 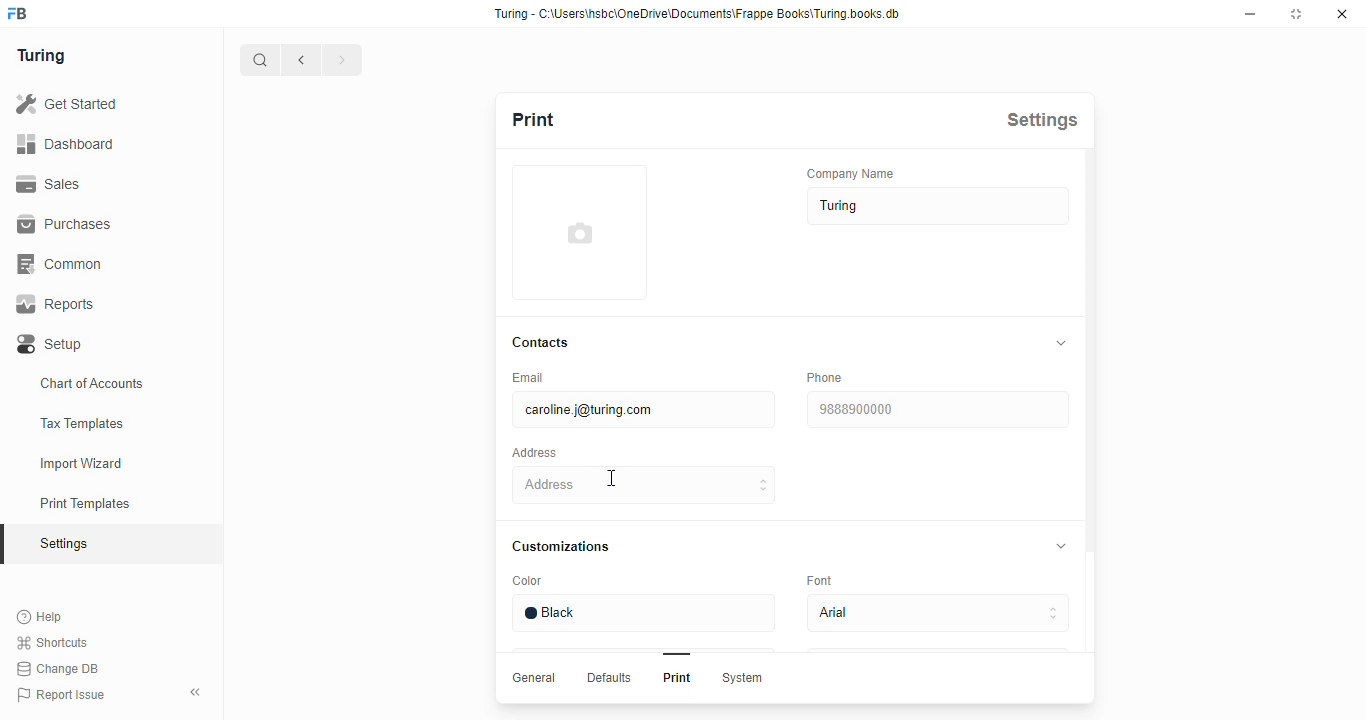 What do you see at coordinates (744, 679) in the screenshot?
I see `System` at bounding box center [744, 679].